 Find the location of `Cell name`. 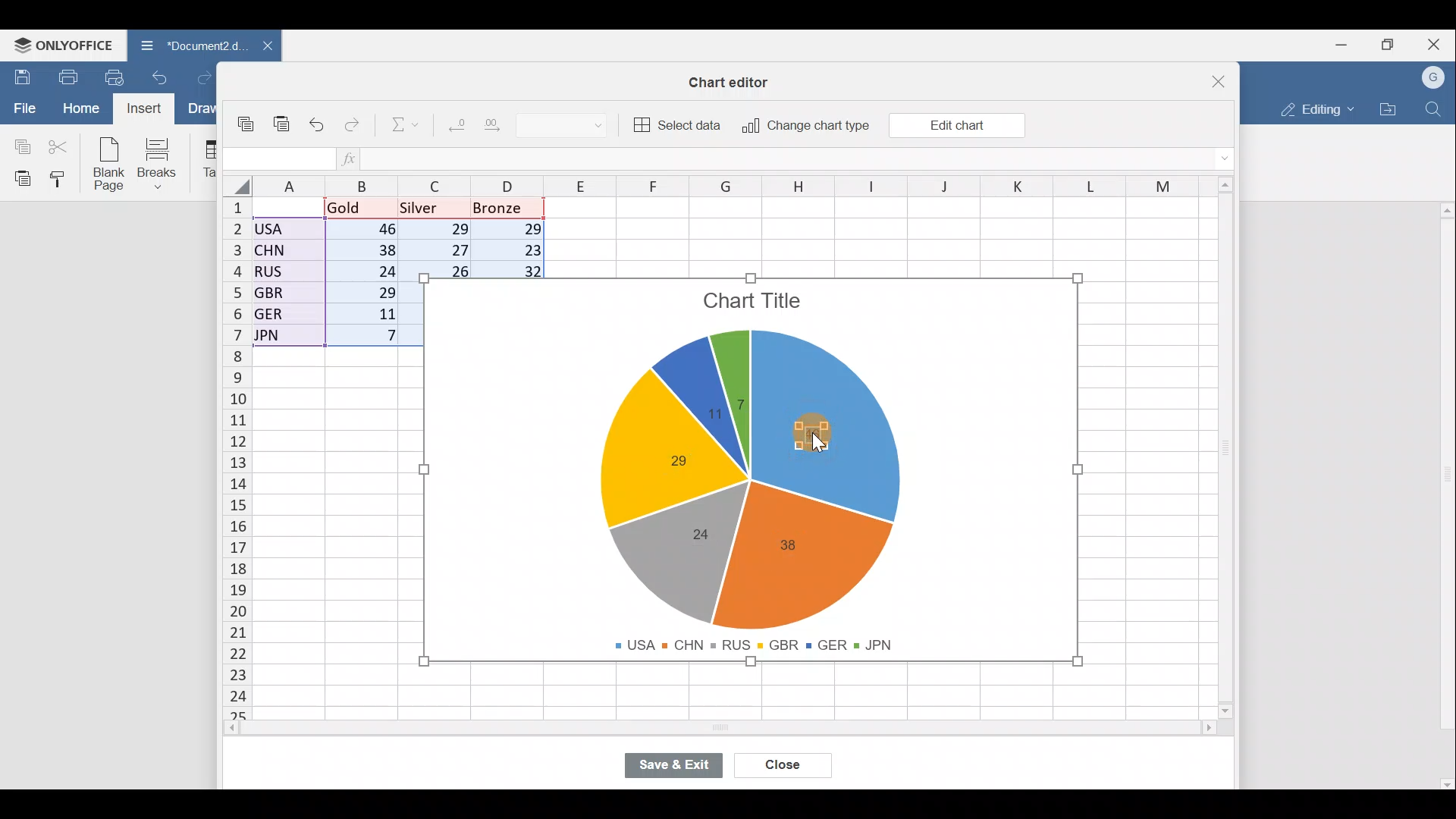

Cell name is located at coordinates (277, 159).